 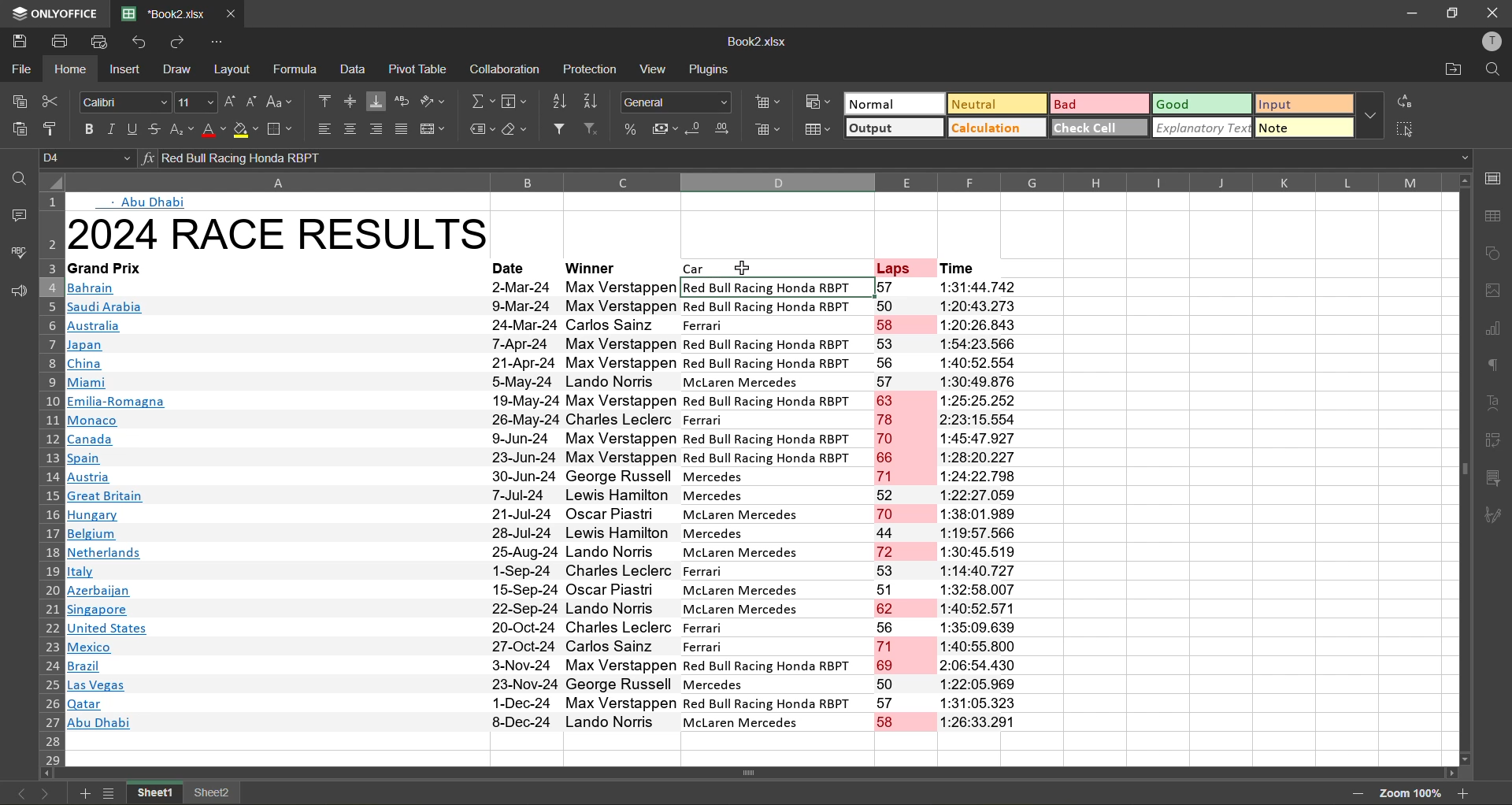 I want to click on note, so click(x=1304, y=128).